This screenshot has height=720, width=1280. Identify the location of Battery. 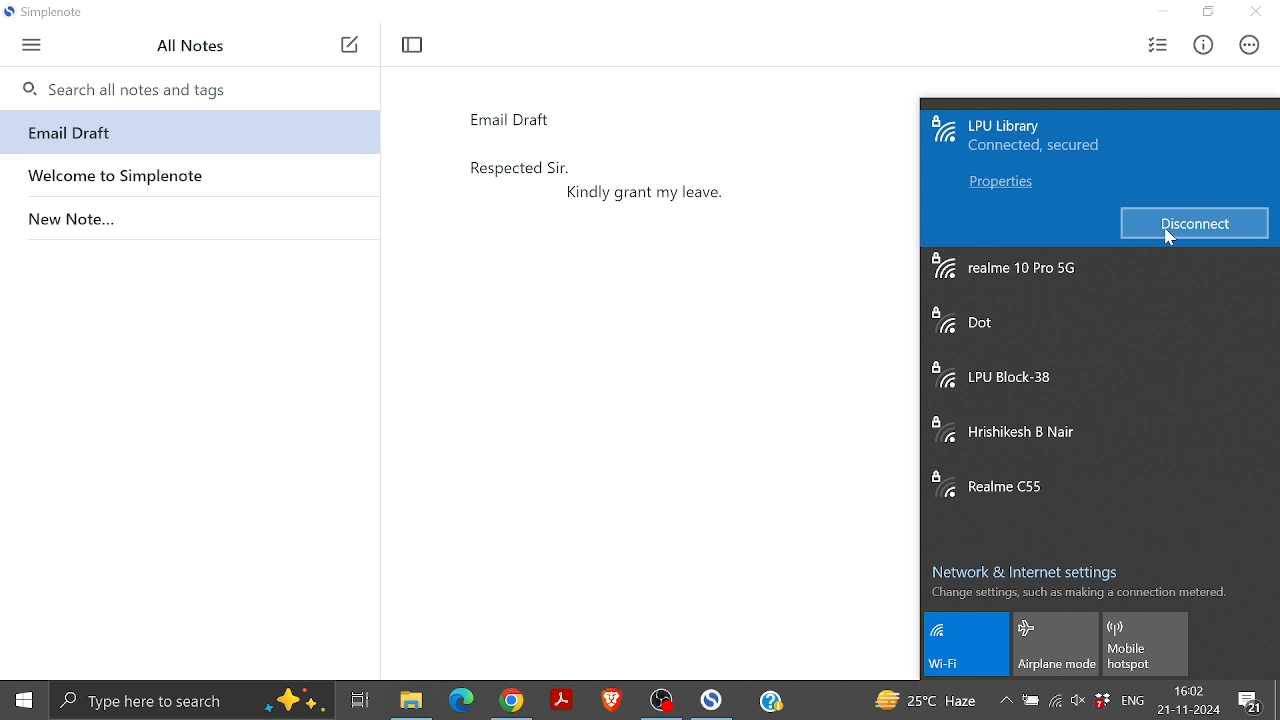
(1032, 703).